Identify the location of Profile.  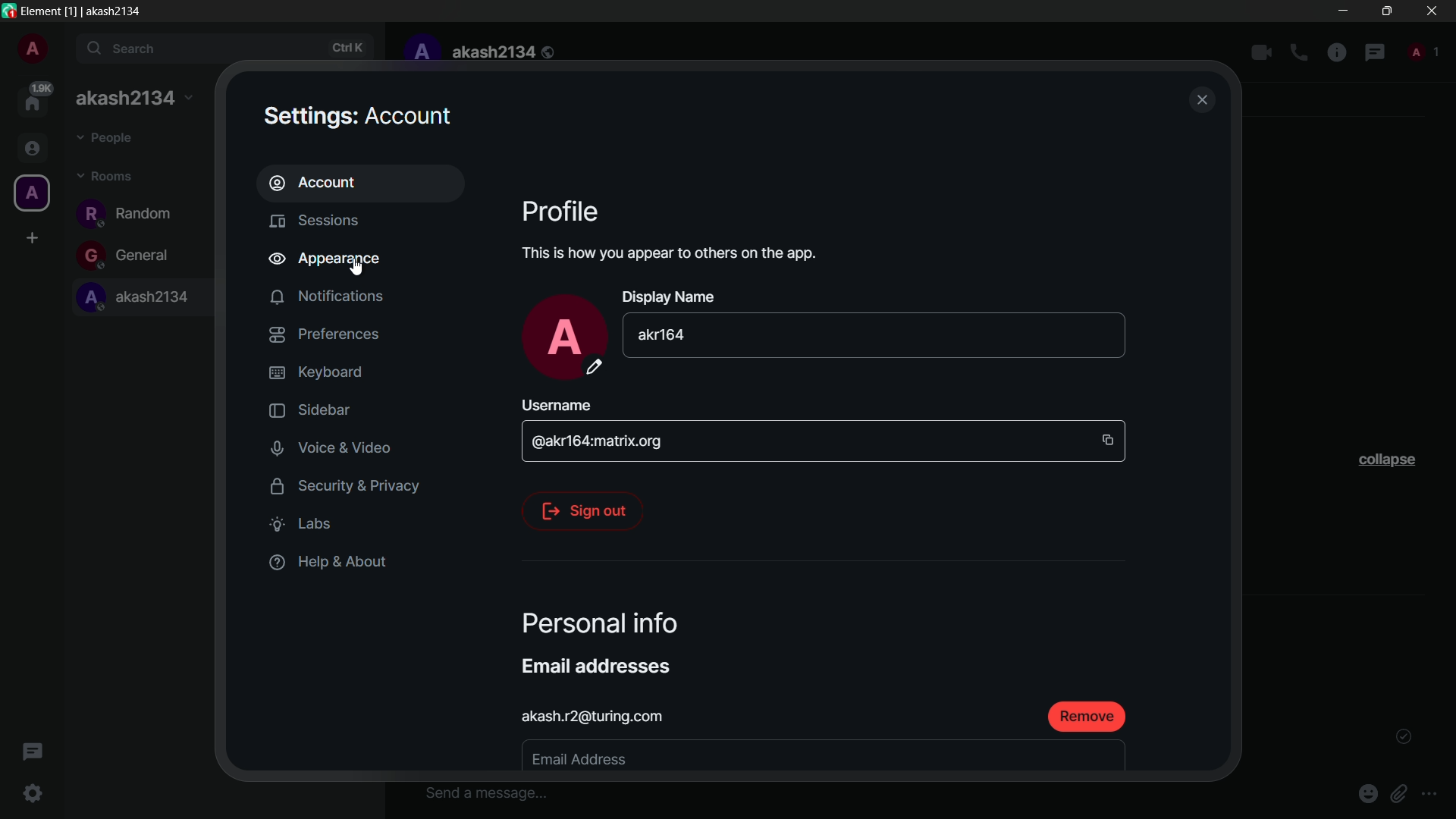
(566, 214).